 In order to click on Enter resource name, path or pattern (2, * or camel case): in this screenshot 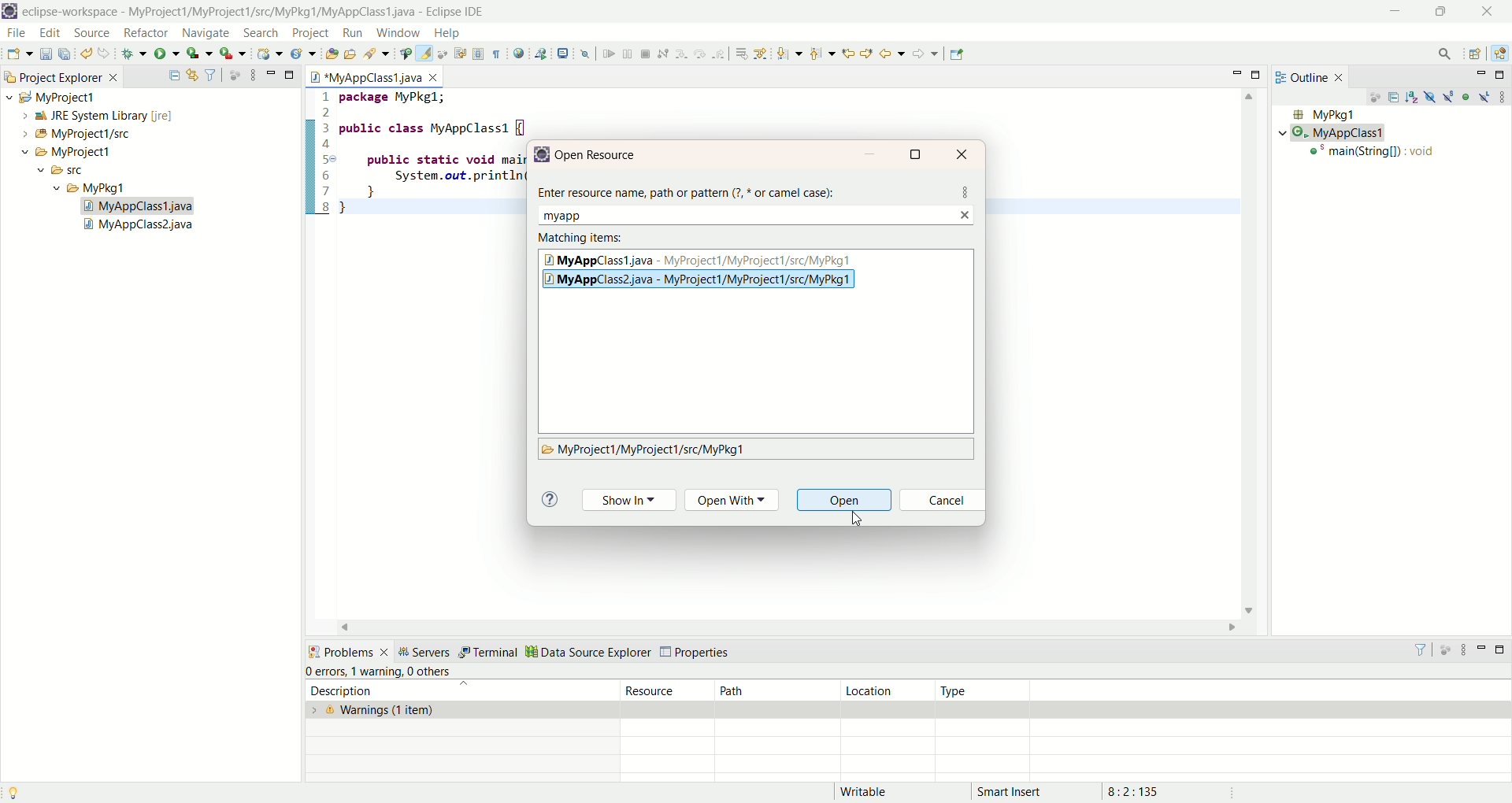, I will do `click(691, 189)`.